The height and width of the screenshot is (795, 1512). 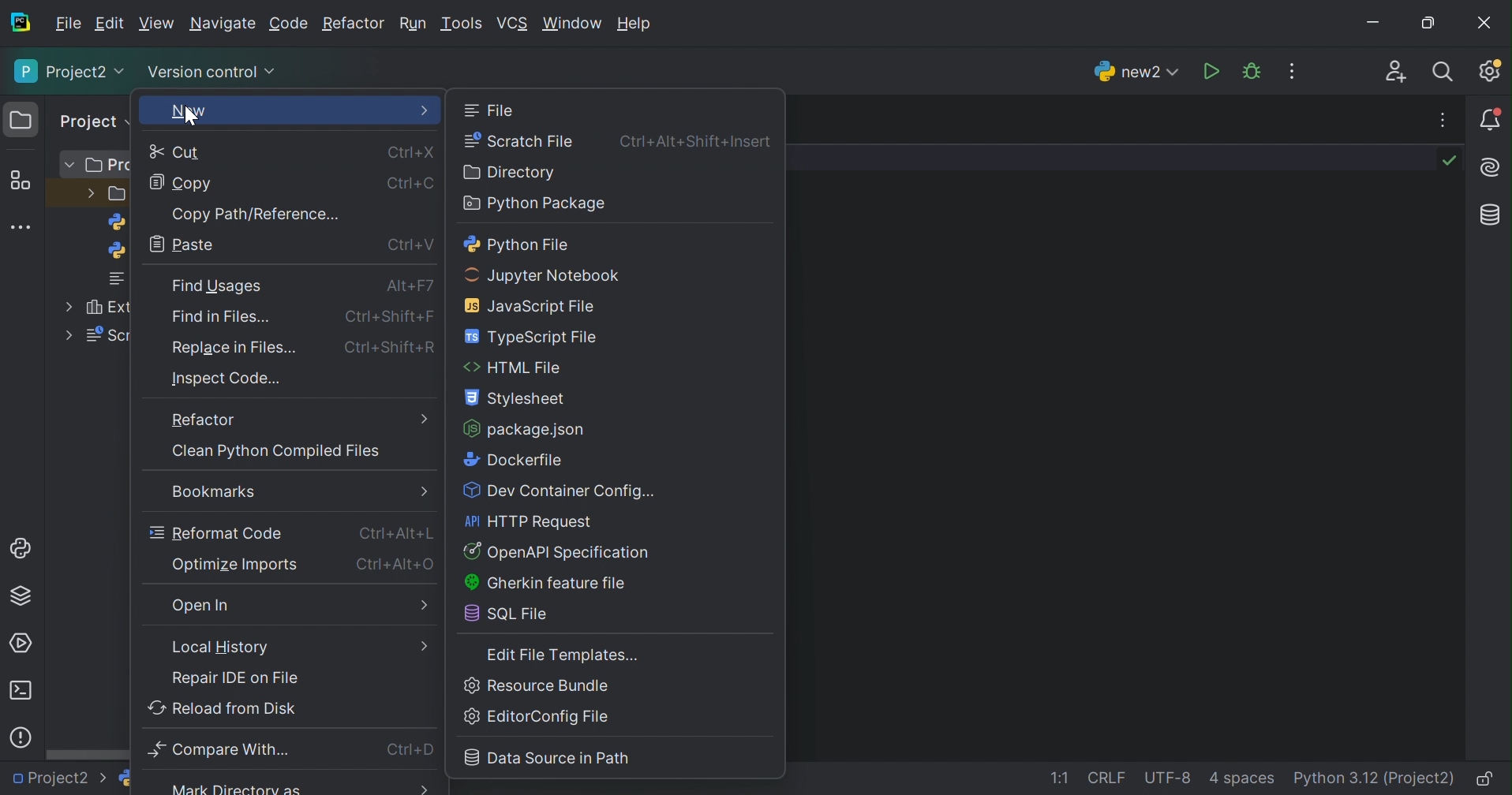 What do you see at coordinates (120, 195) in the screenshot?
I see `folder design` at bounding box center [120, 195].